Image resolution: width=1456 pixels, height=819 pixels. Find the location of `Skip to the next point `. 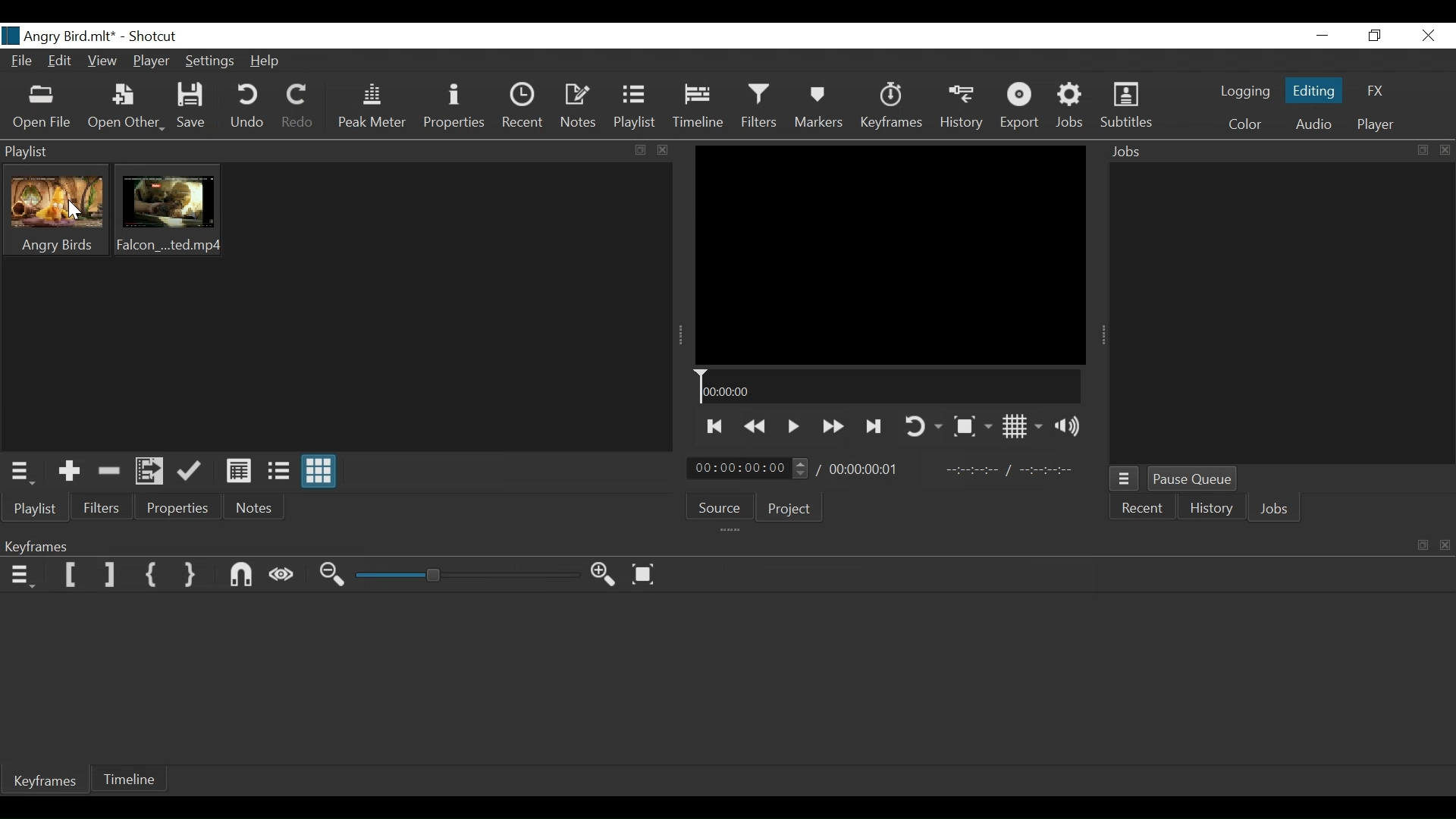

Skip to the next point  is located at coordinates (875, 426).